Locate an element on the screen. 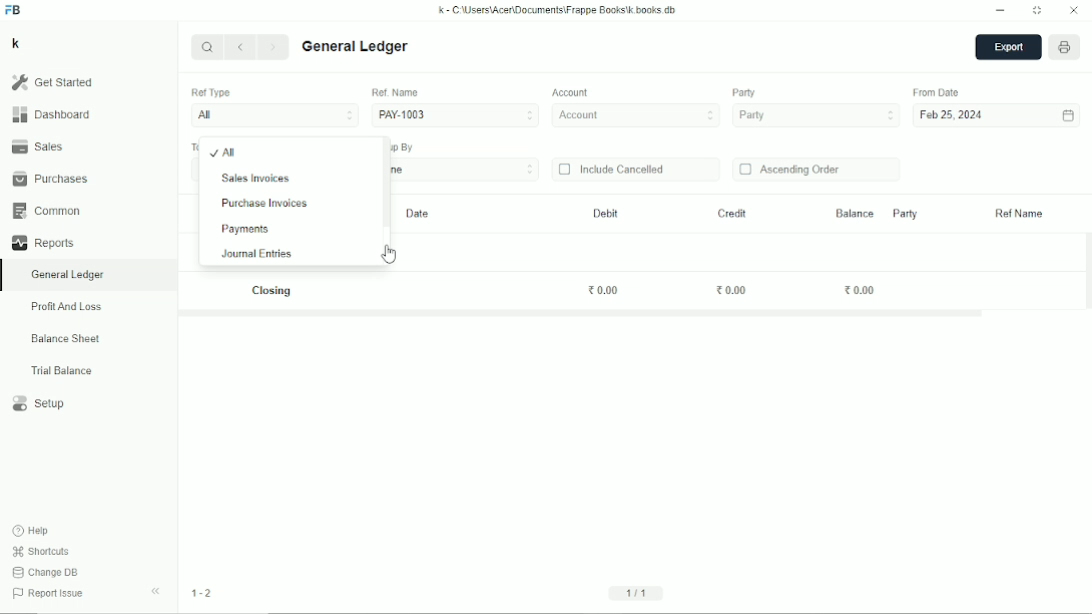  General ledger is located at coordinates (356, 47).